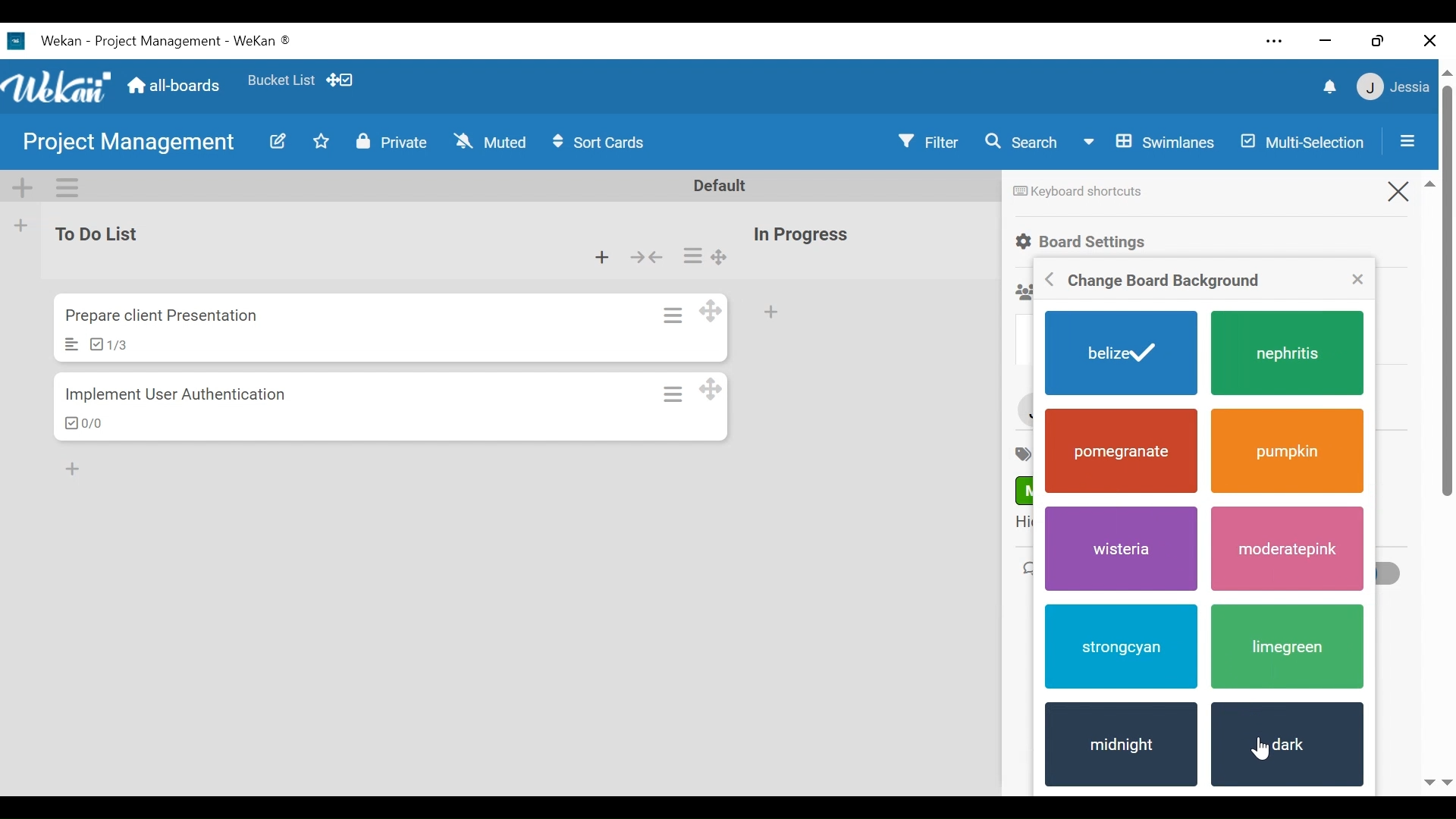 Image resolution: width=1456 pixels, height=819 pixels. Describe the element at coordinates (21, 187) in the screenshot. I see `Add Swimlane` at that location.